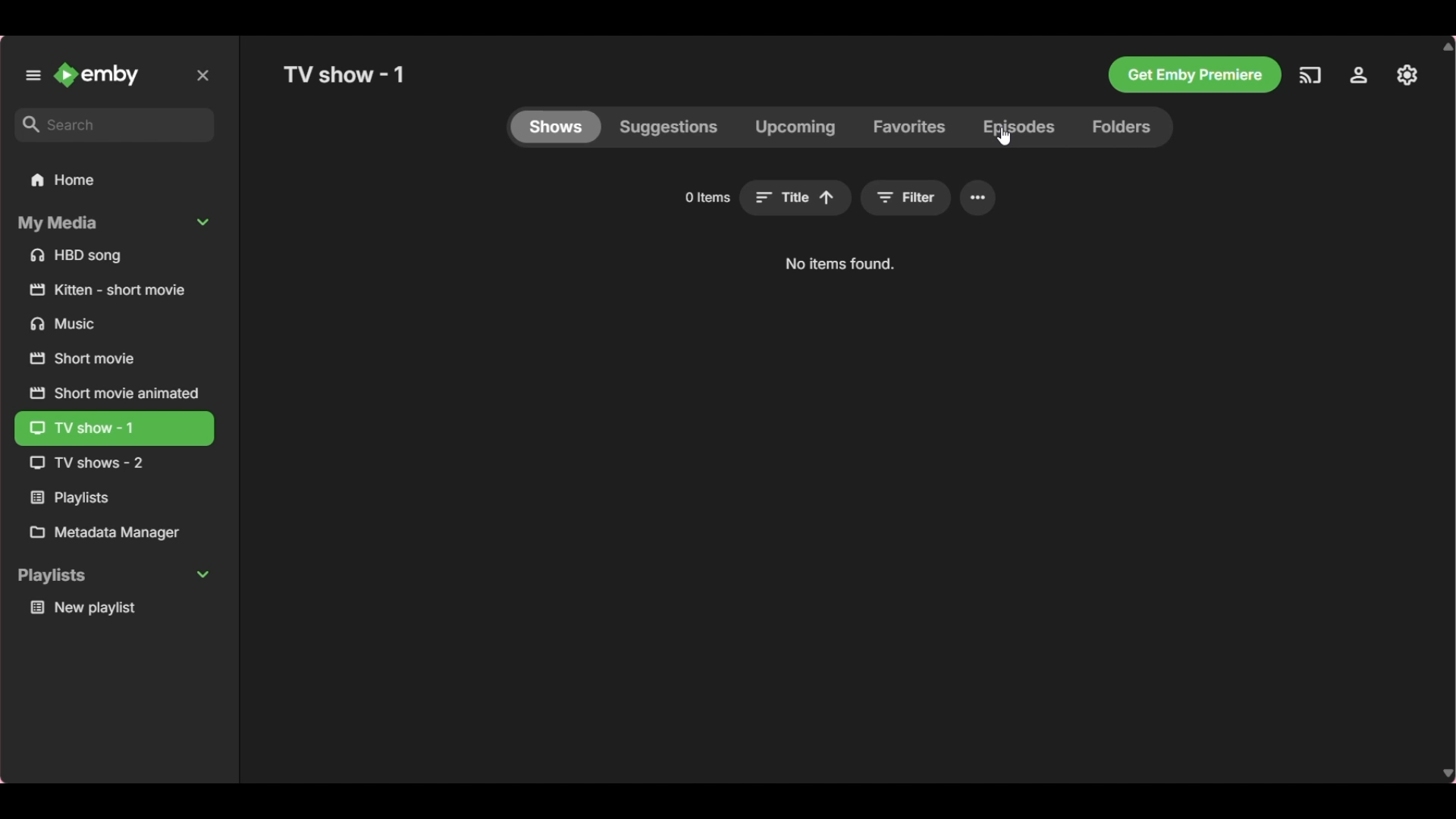  I want to click on Short film, so click(113, 359).